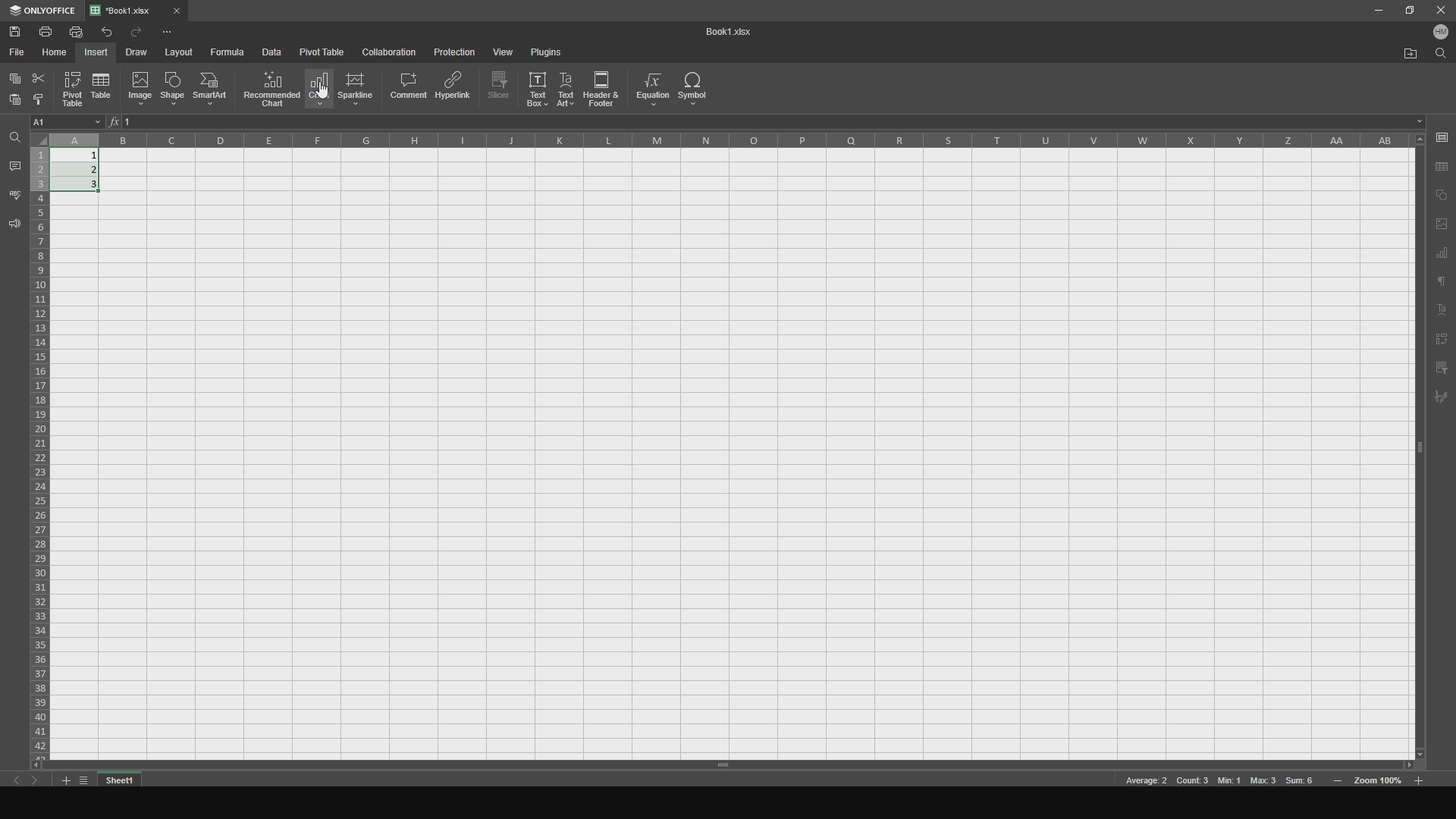 Image resolution: width=1456 pixels, height=819 pixels. I want to click on pivot table, so click(324, 52).